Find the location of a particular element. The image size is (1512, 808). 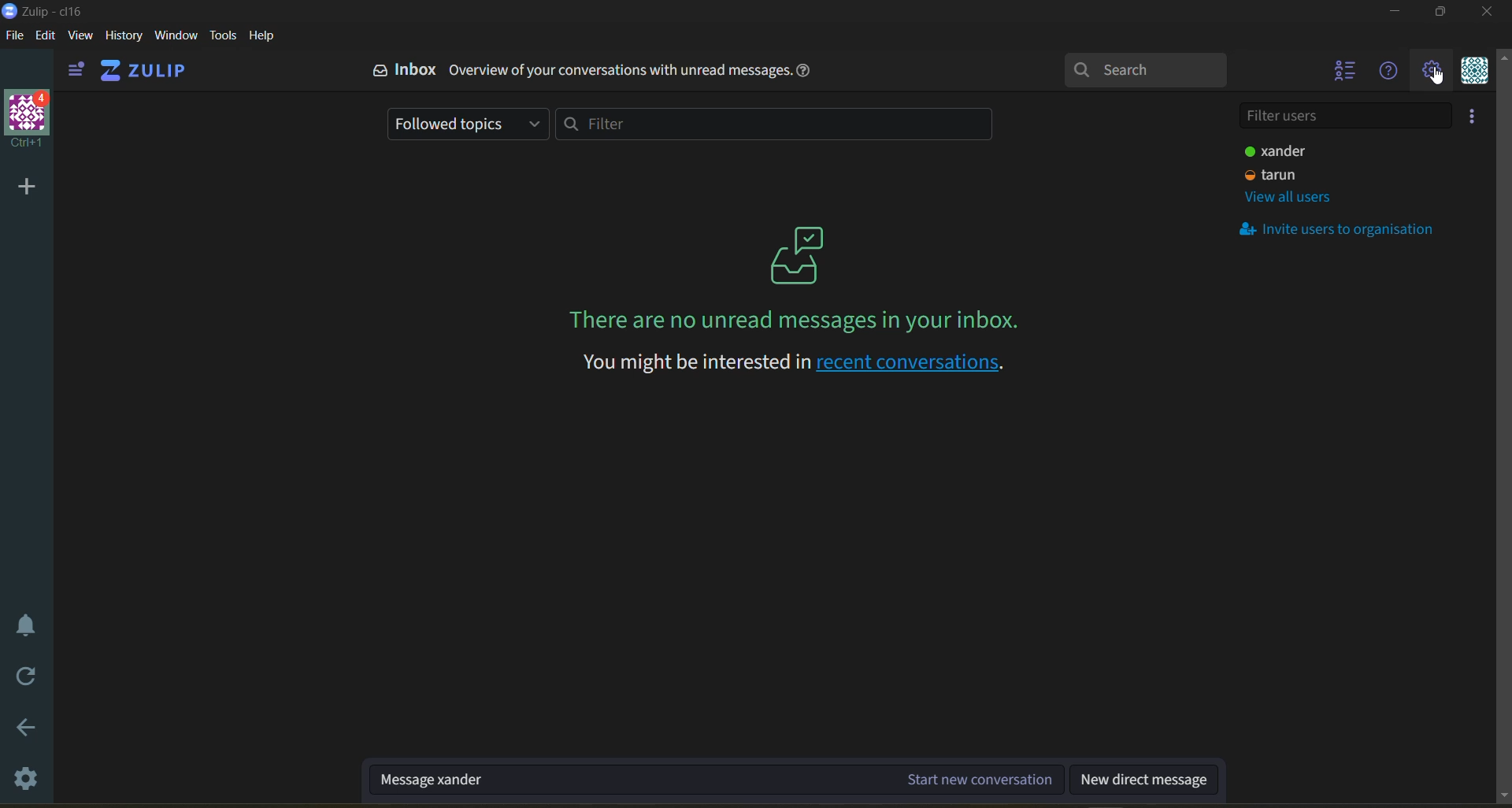

hide user list is located at coordinates (1342, 73).